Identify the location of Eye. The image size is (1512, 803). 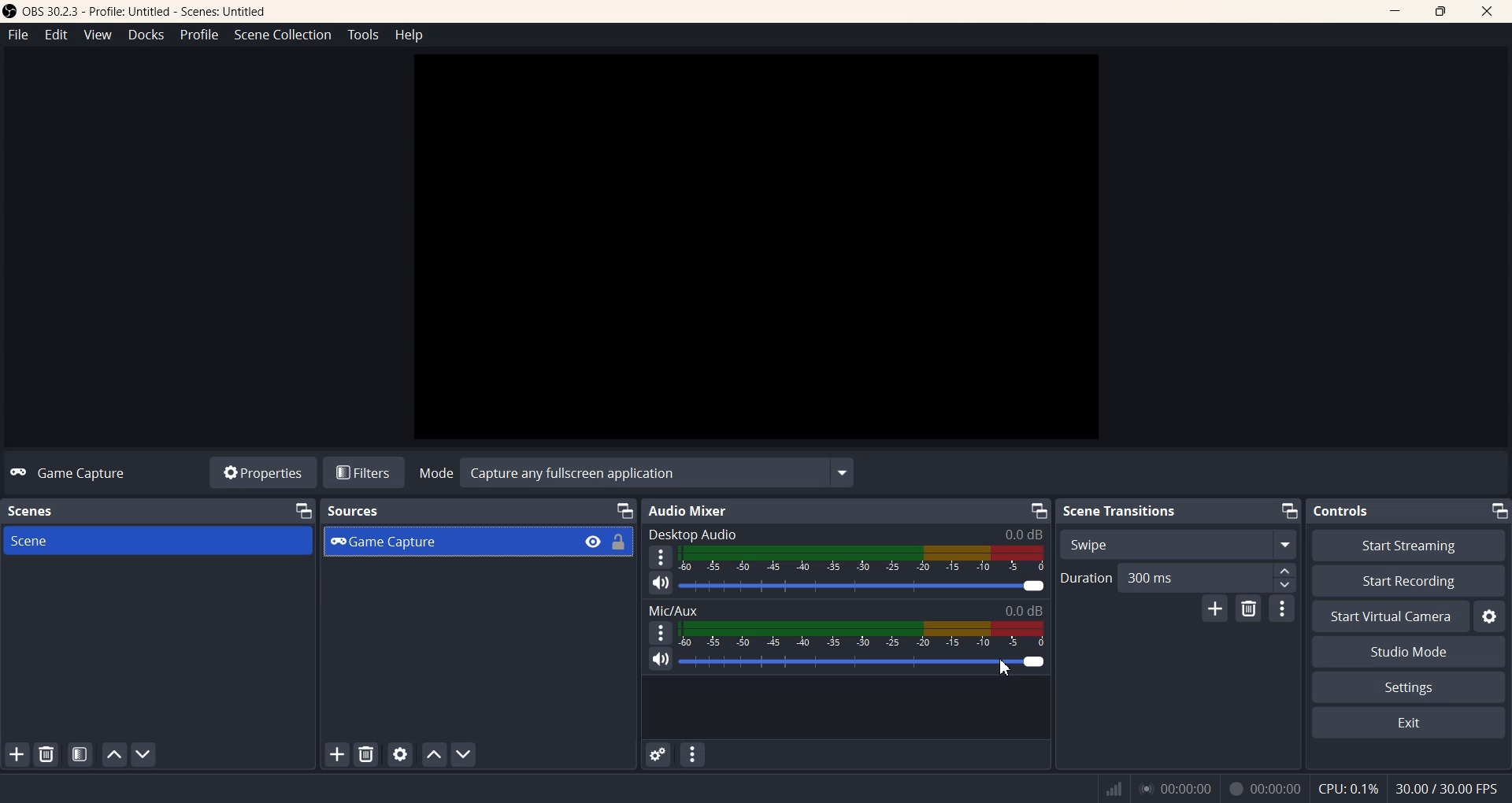
(595, 542).